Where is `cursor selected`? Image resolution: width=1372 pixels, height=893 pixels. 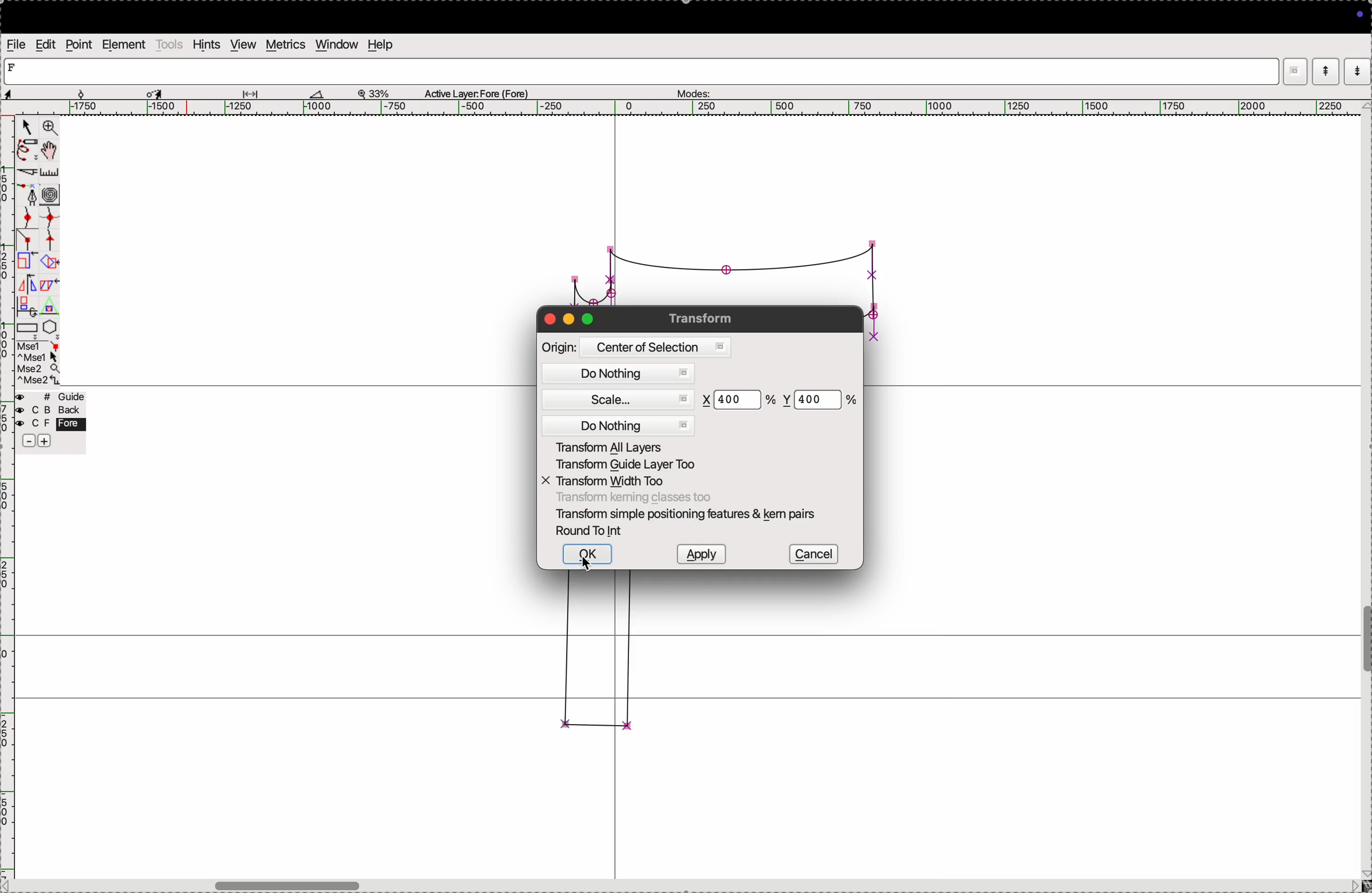
cursor selected is located at coordinates (156, 92).